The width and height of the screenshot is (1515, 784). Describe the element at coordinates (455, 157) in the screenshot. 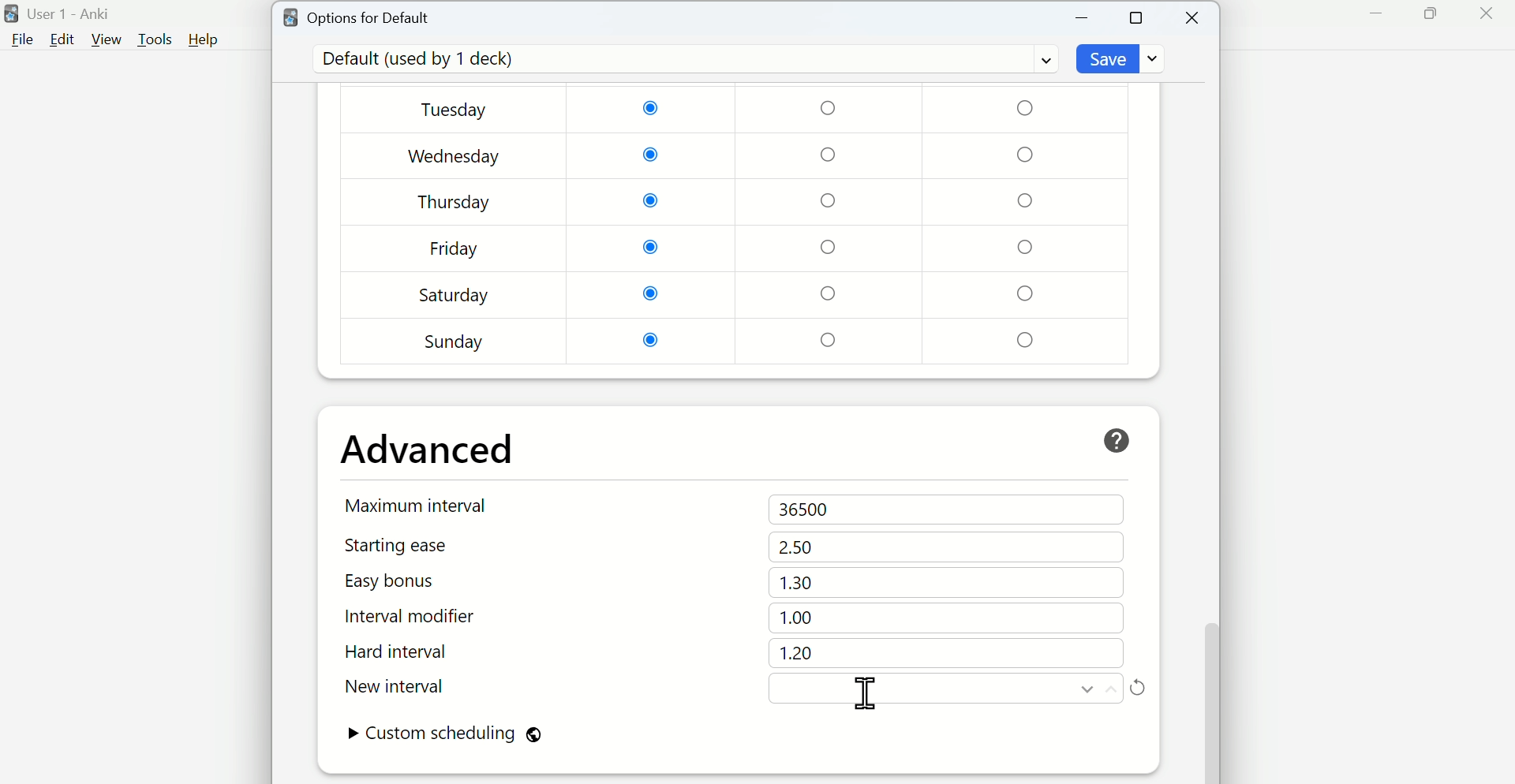

I see `Wednesday` at that location.